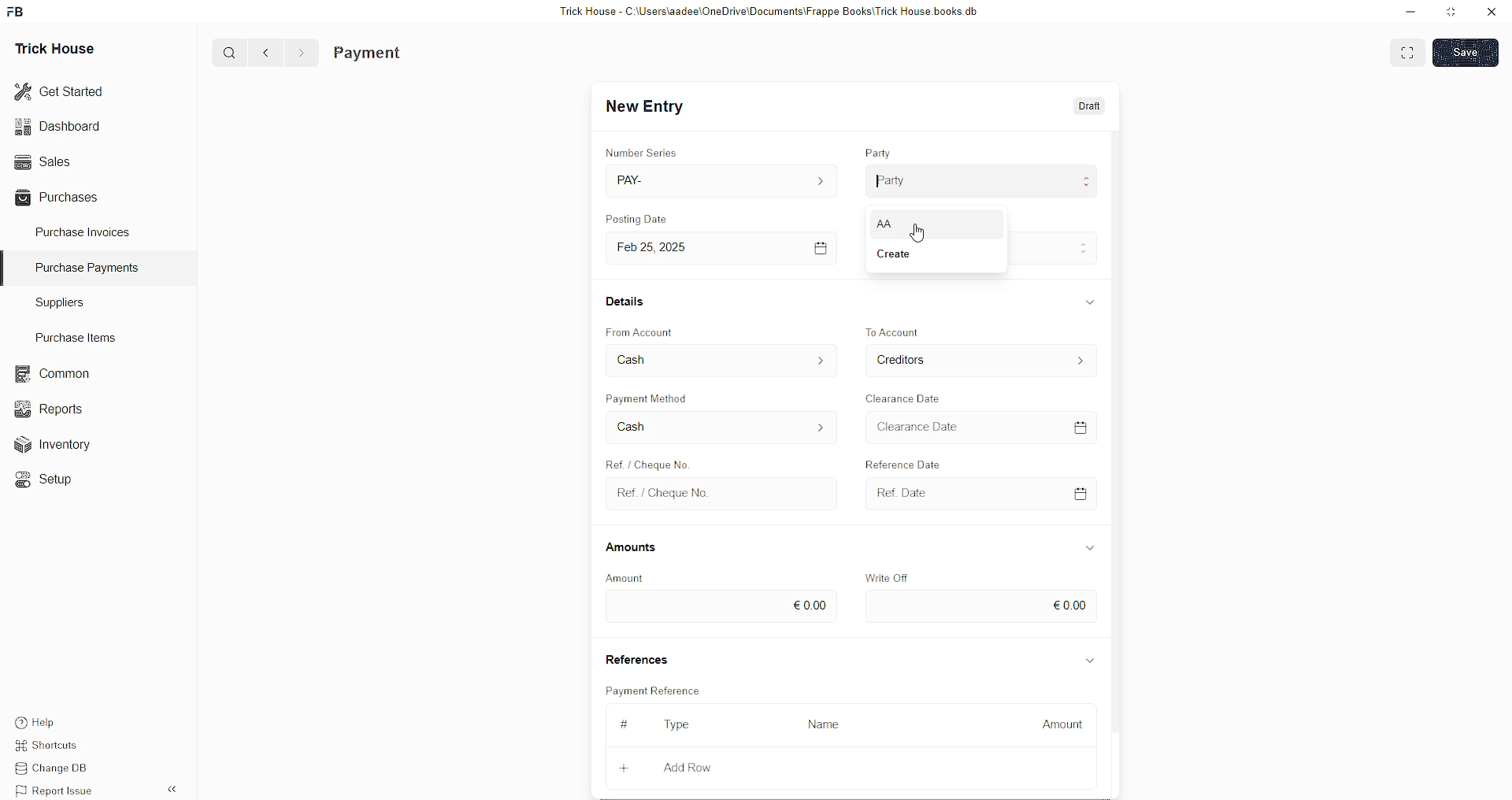 This screenshot has height=800, width=1512. What do you see at coordinates (1410, 51) in the screenshot?
I see `EXPAND` at bounding box center [1410, 51].